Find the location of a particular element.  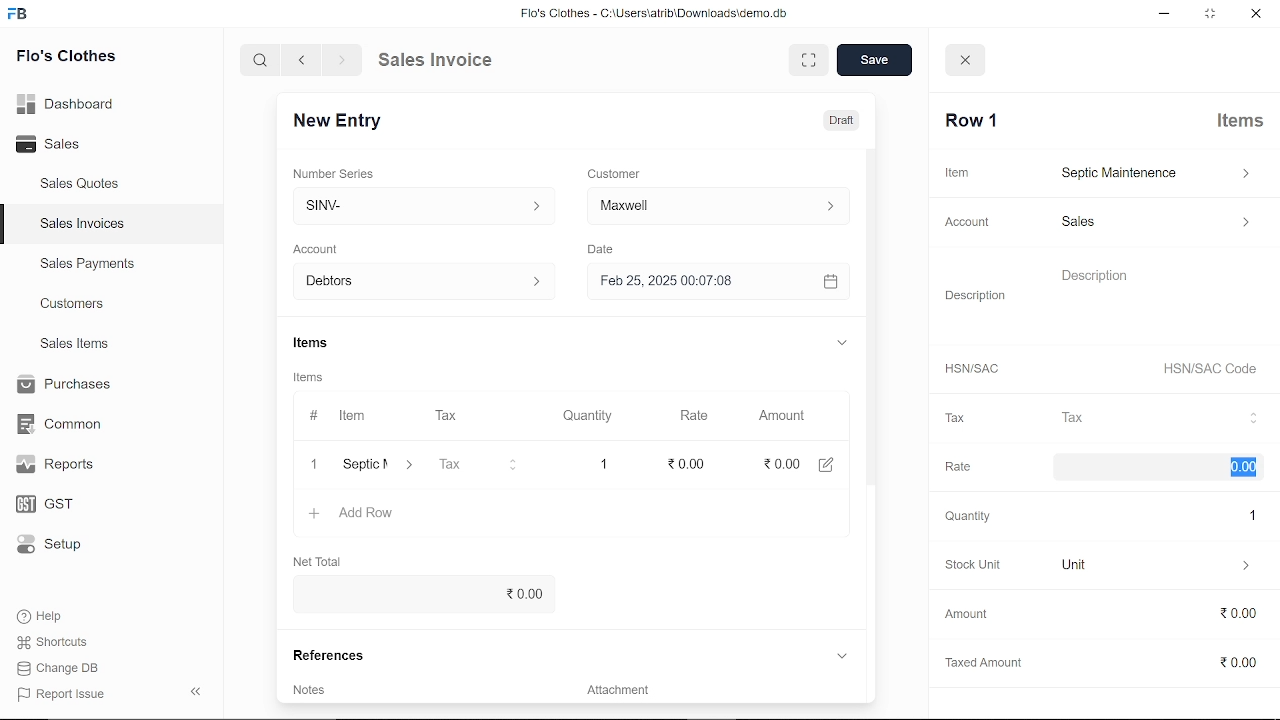

Help is located at coordinates (42, 616).